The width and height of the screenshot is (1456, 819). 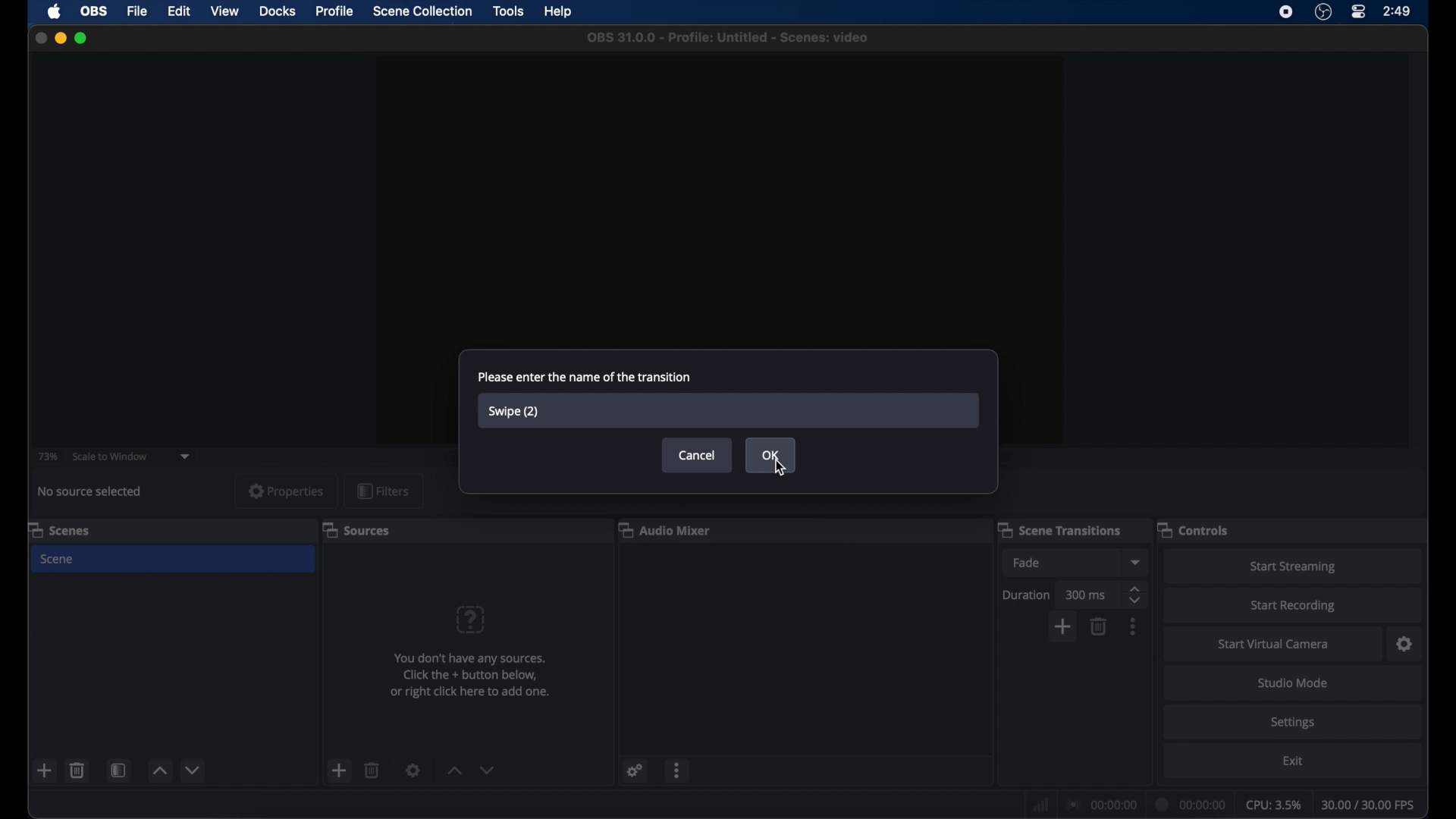 I want to click on close, so click(x=40, y=38).